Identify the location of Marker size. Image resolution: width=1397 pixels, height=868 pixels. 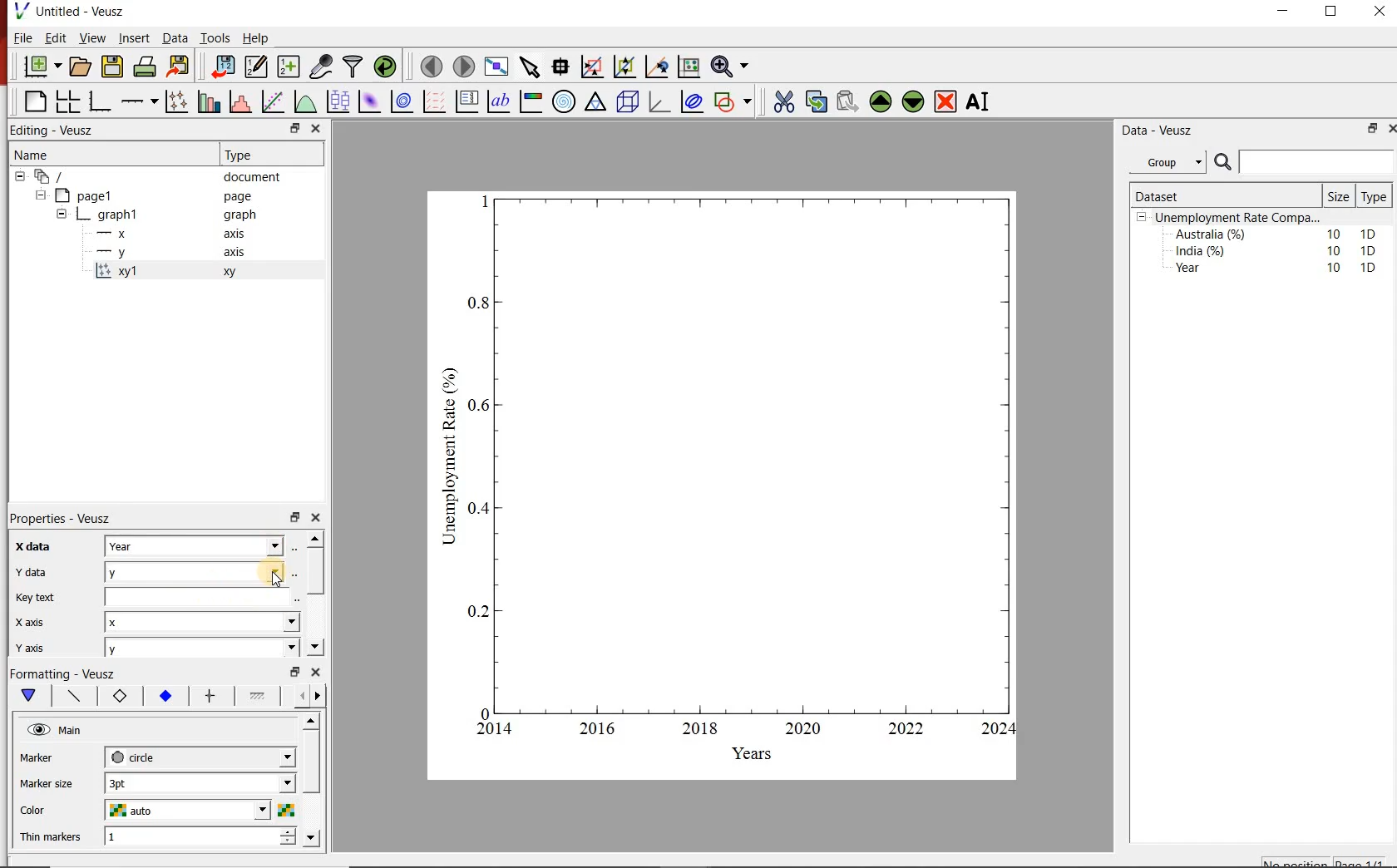
(48, 782).